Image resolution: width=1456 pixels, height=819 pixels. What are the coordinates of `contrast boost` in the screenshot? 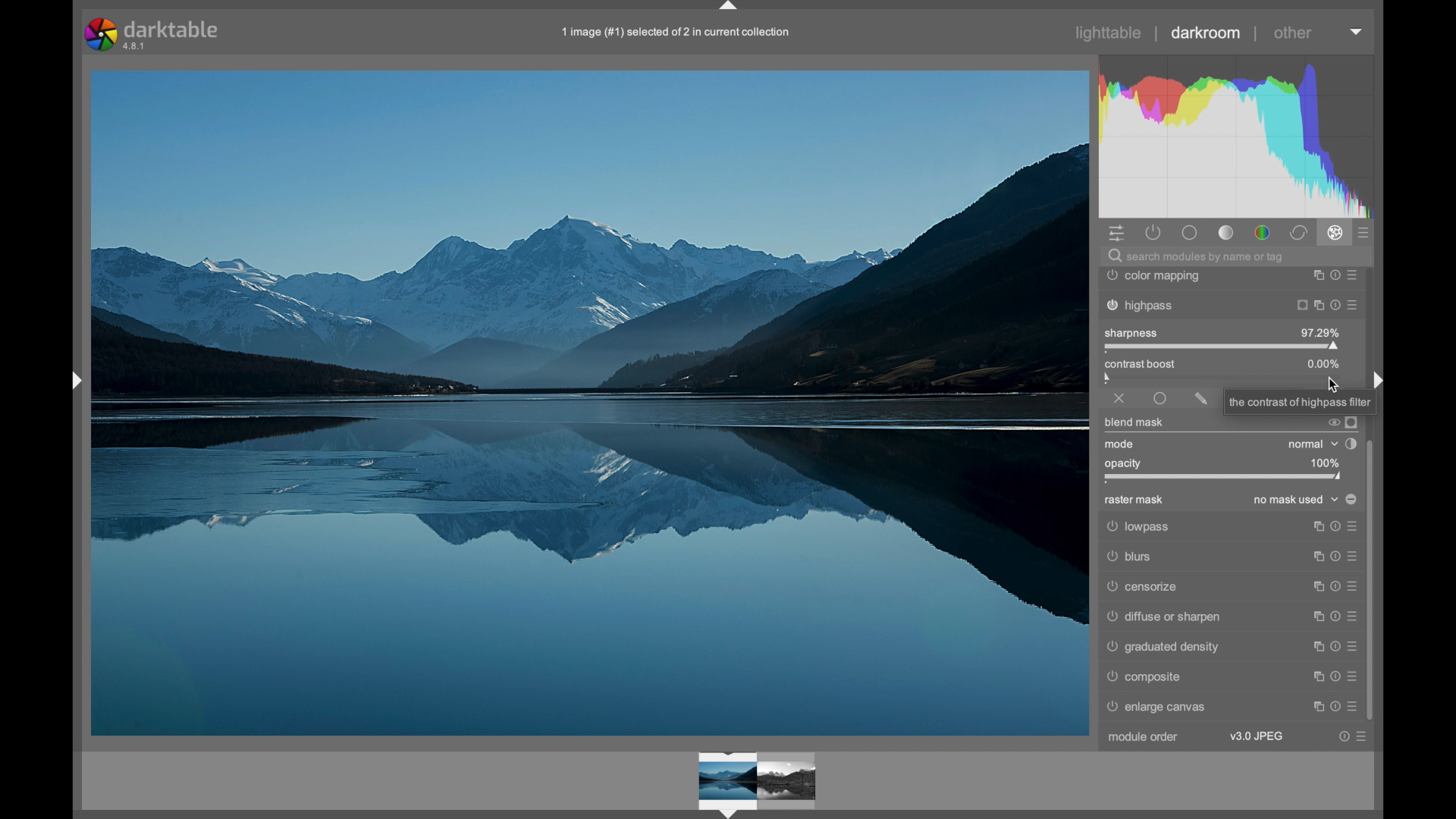 It's located at (1168, 364).